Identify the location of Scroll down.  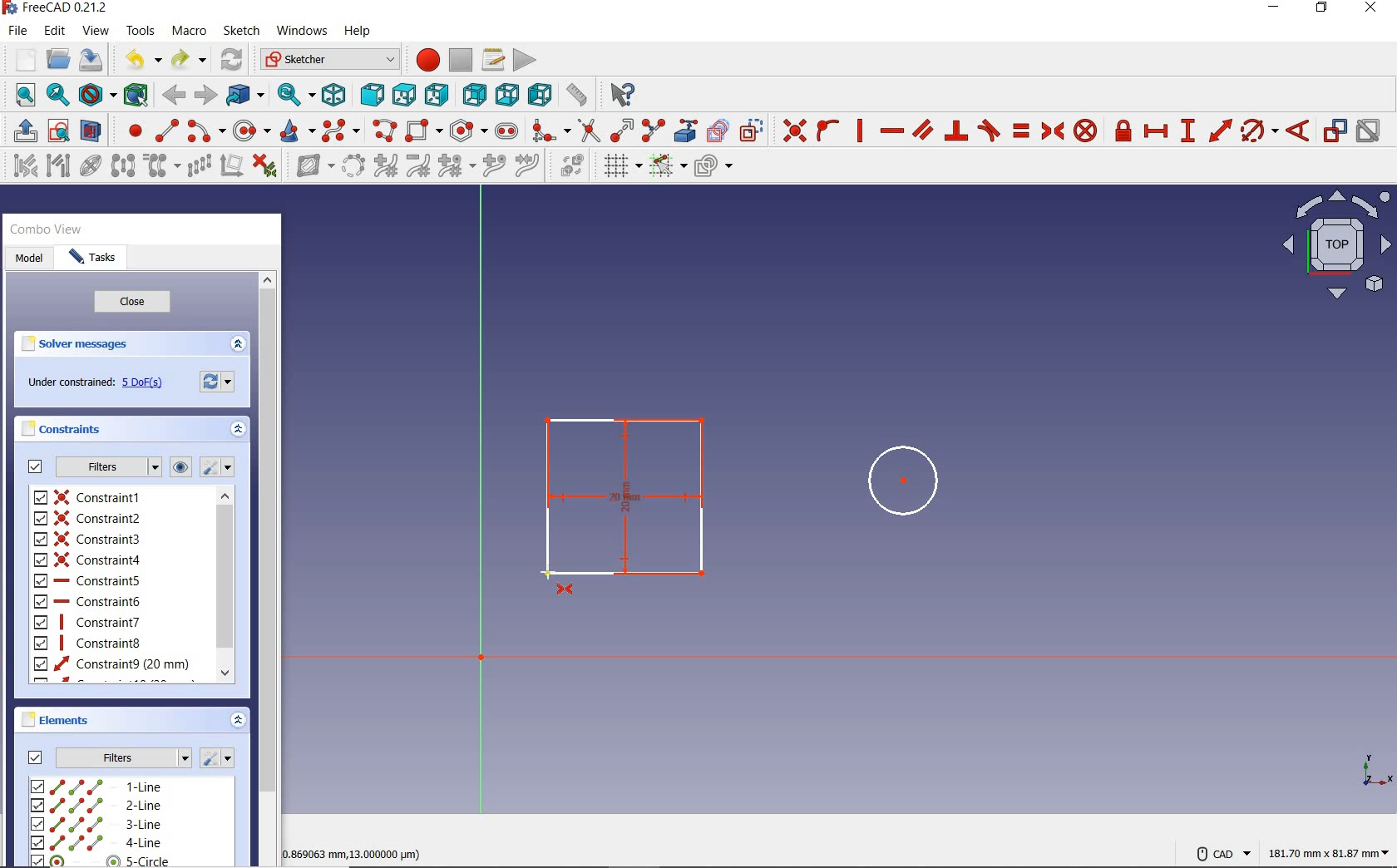
(225, 674).